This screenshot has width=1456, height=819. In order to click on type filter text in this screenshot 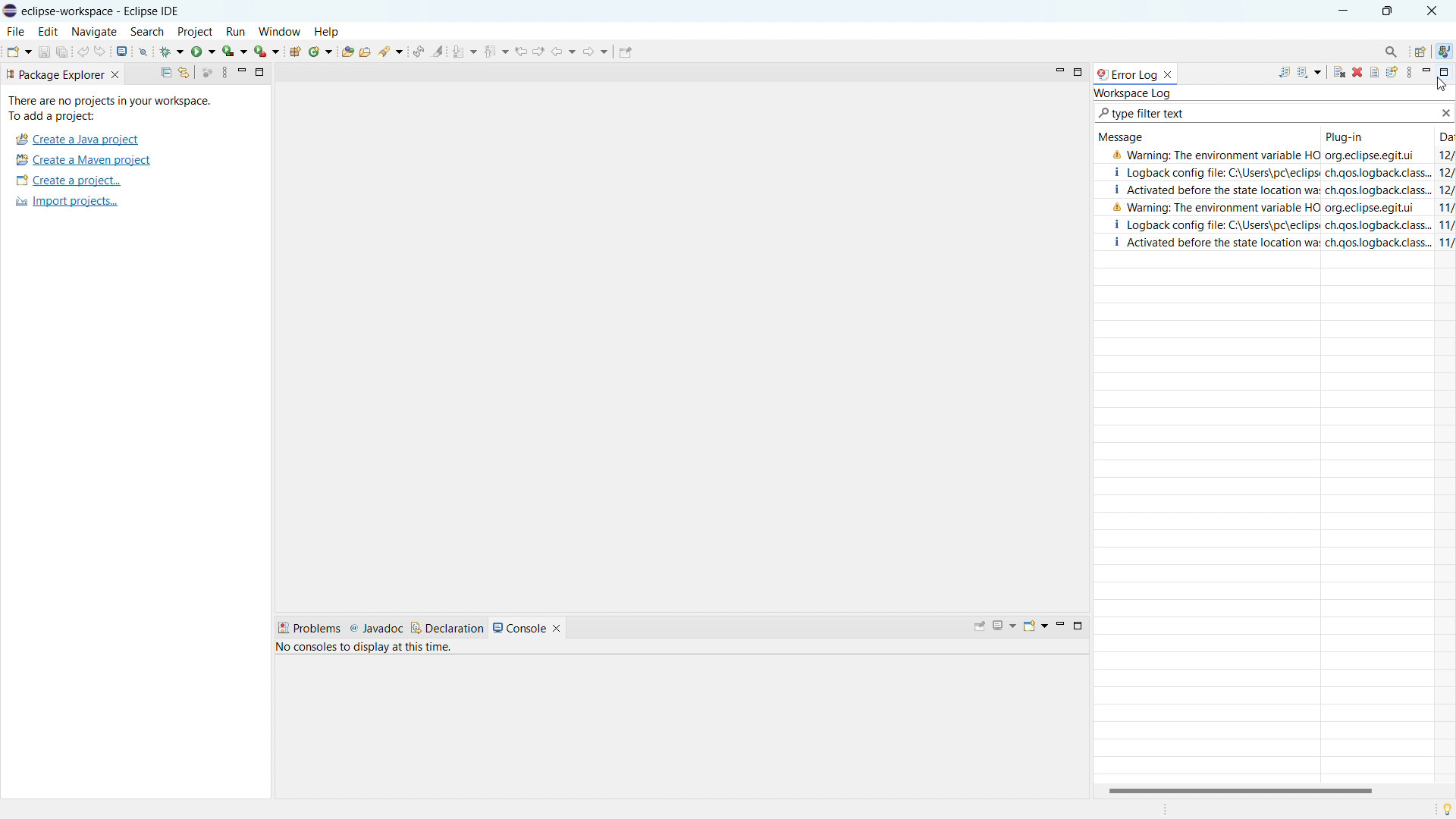, I will do `click(1261, 114)`.